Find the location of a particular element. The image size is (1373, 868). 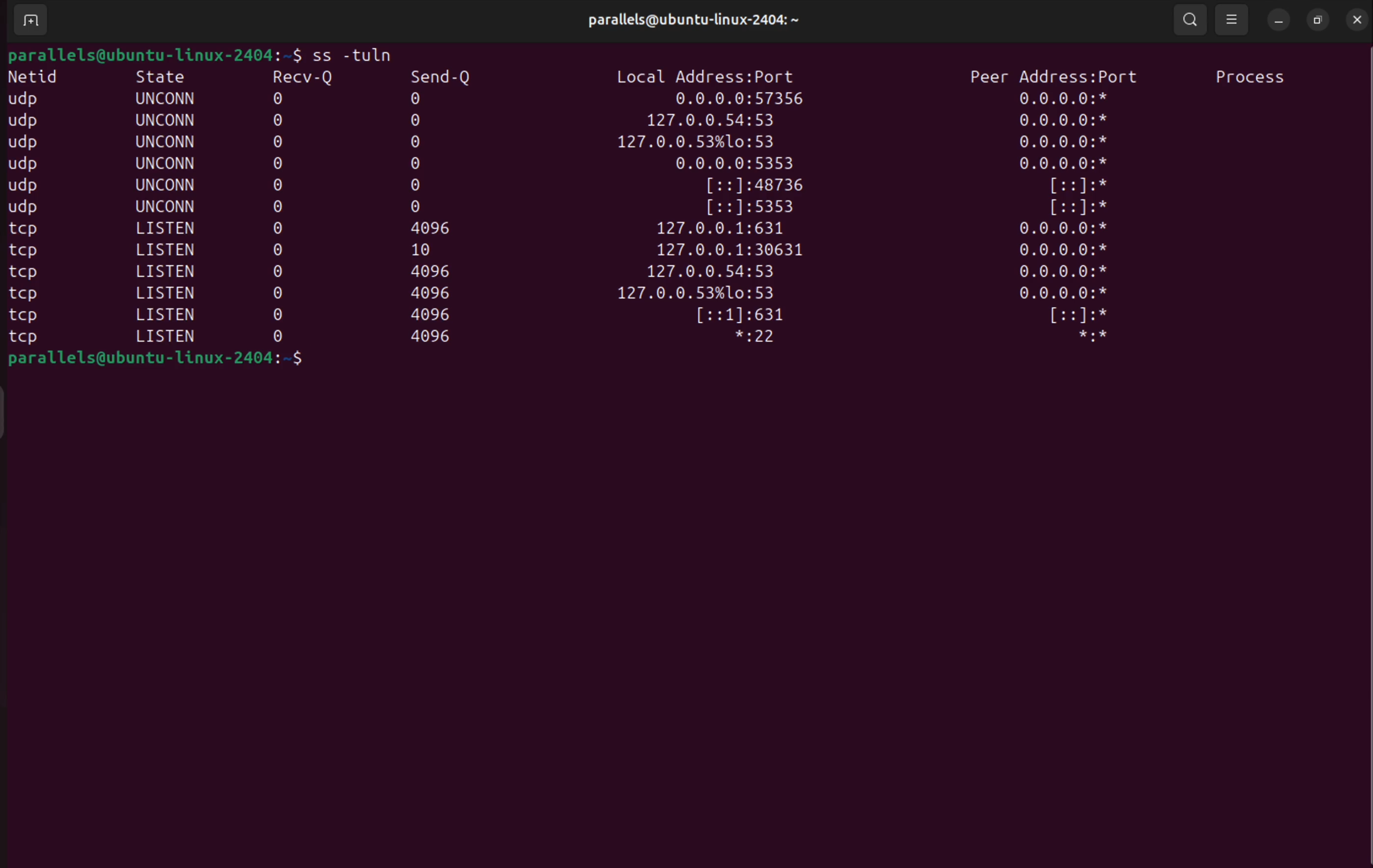

0.0.0.0.0 is located at coordinates (1065, 164).